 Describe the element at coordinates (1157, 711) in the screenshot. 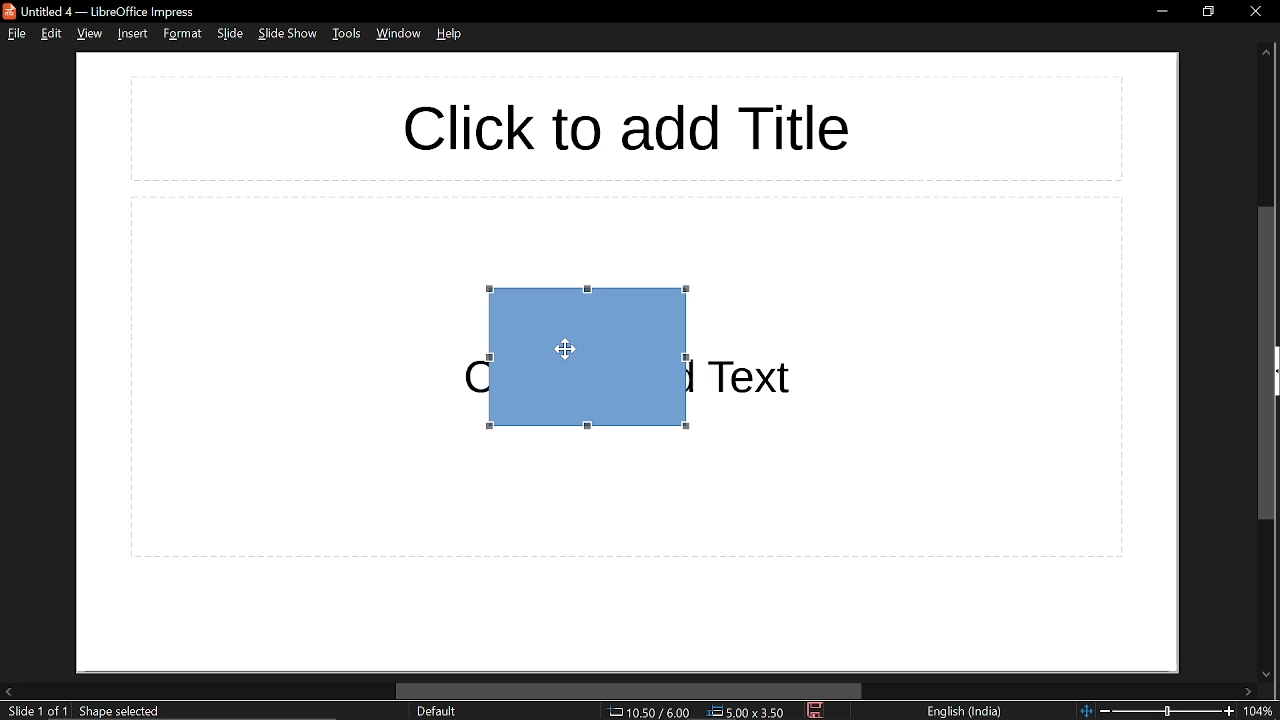

I see `change zoom` at that location.